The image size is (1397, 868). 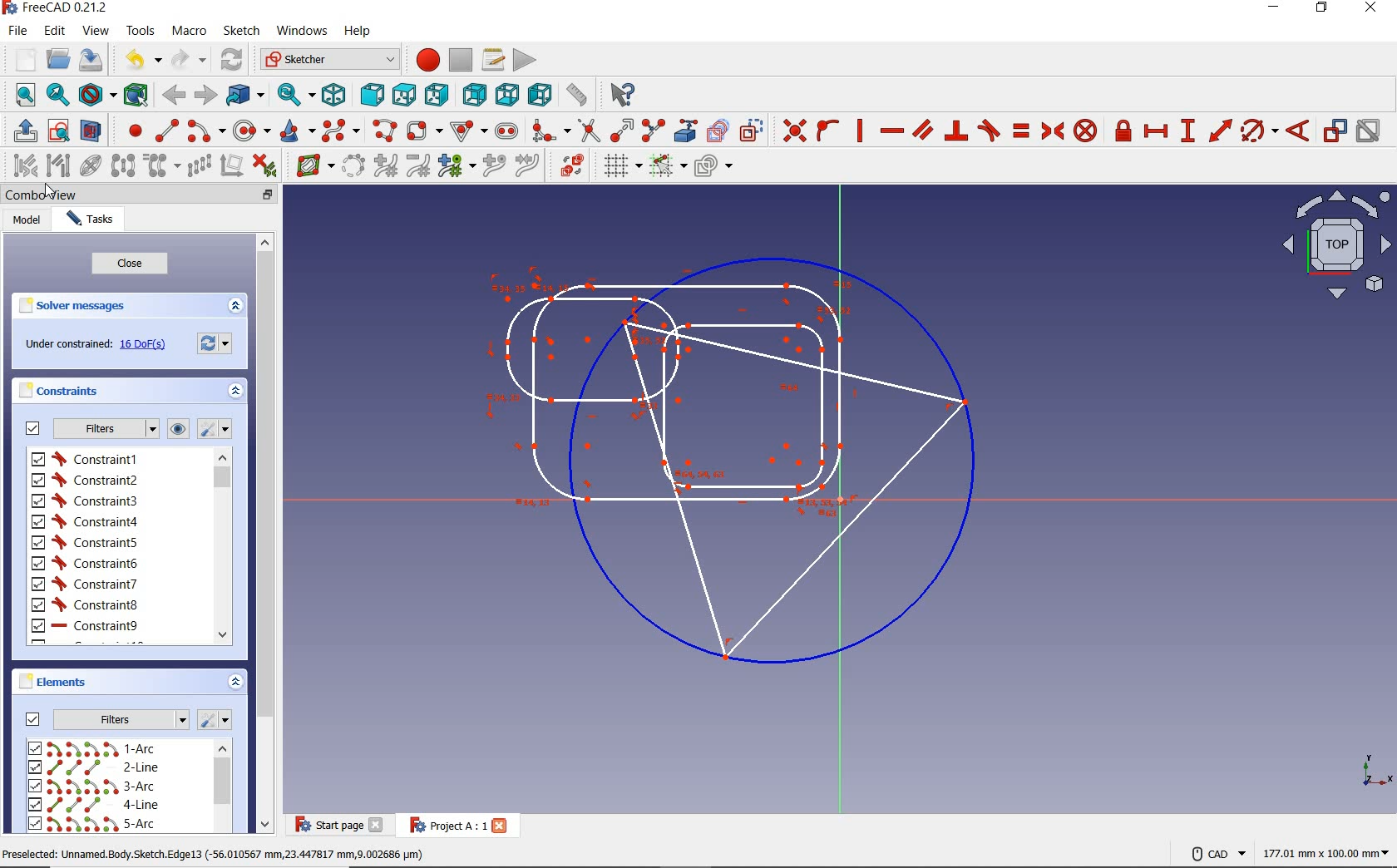 I want to click on macro recording, so click(x=422, y=59).